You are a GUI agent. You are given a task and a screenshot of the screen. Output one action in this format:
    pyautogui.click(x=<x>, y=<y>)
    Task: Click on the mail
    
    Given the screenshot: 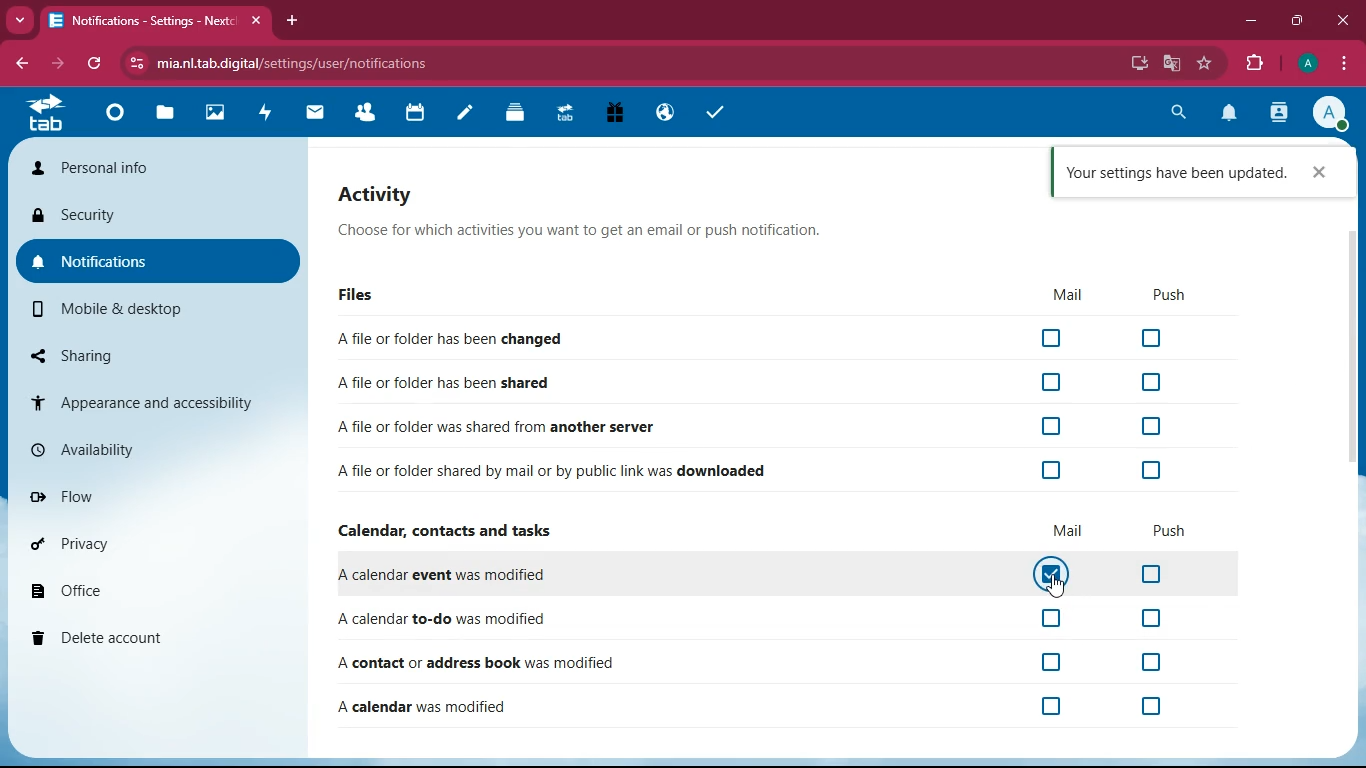 What is the action you would take?
    pyautogui.click(x=315, y=114)
    